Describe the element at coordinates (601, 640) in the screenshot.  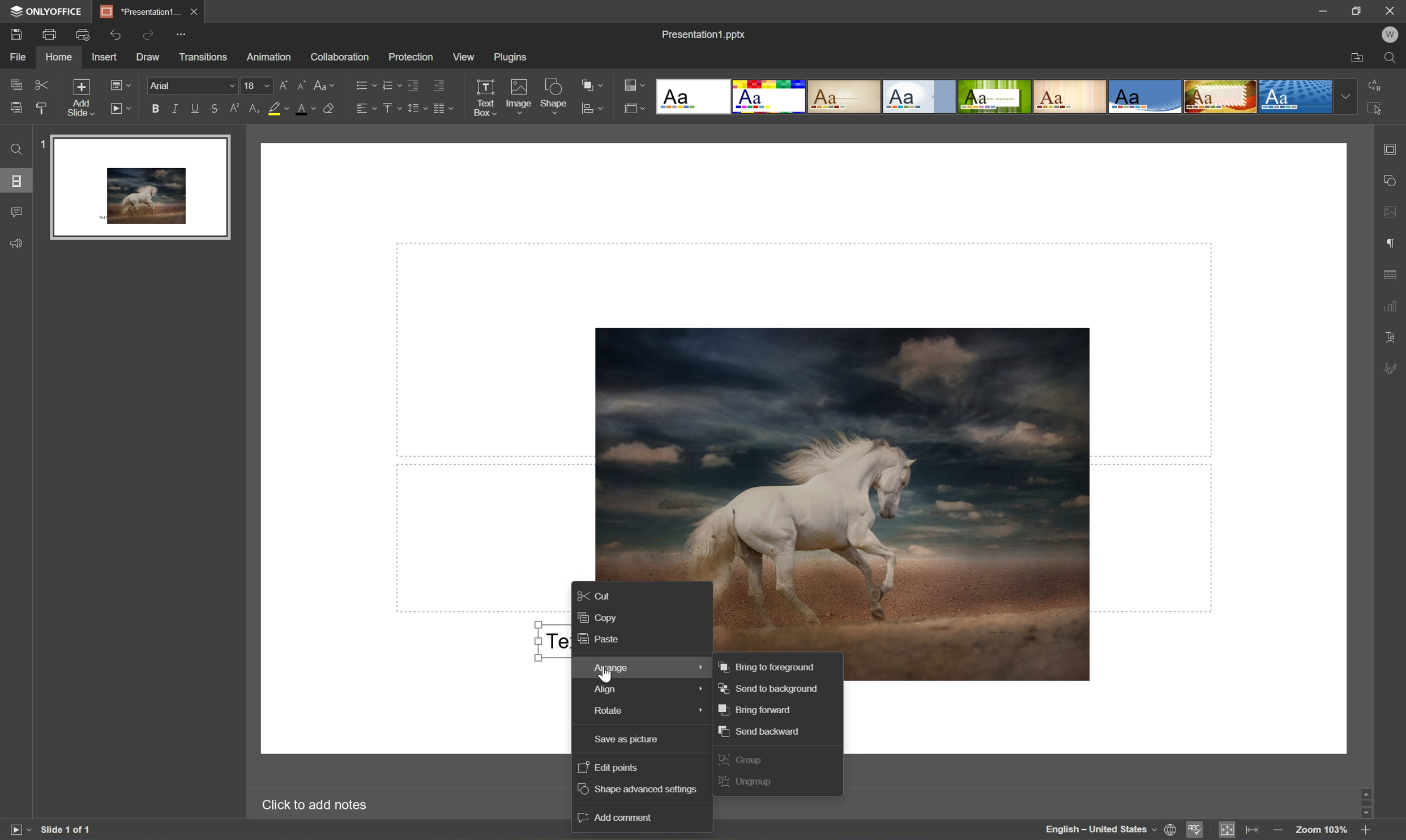
I see `Paste` at that location.